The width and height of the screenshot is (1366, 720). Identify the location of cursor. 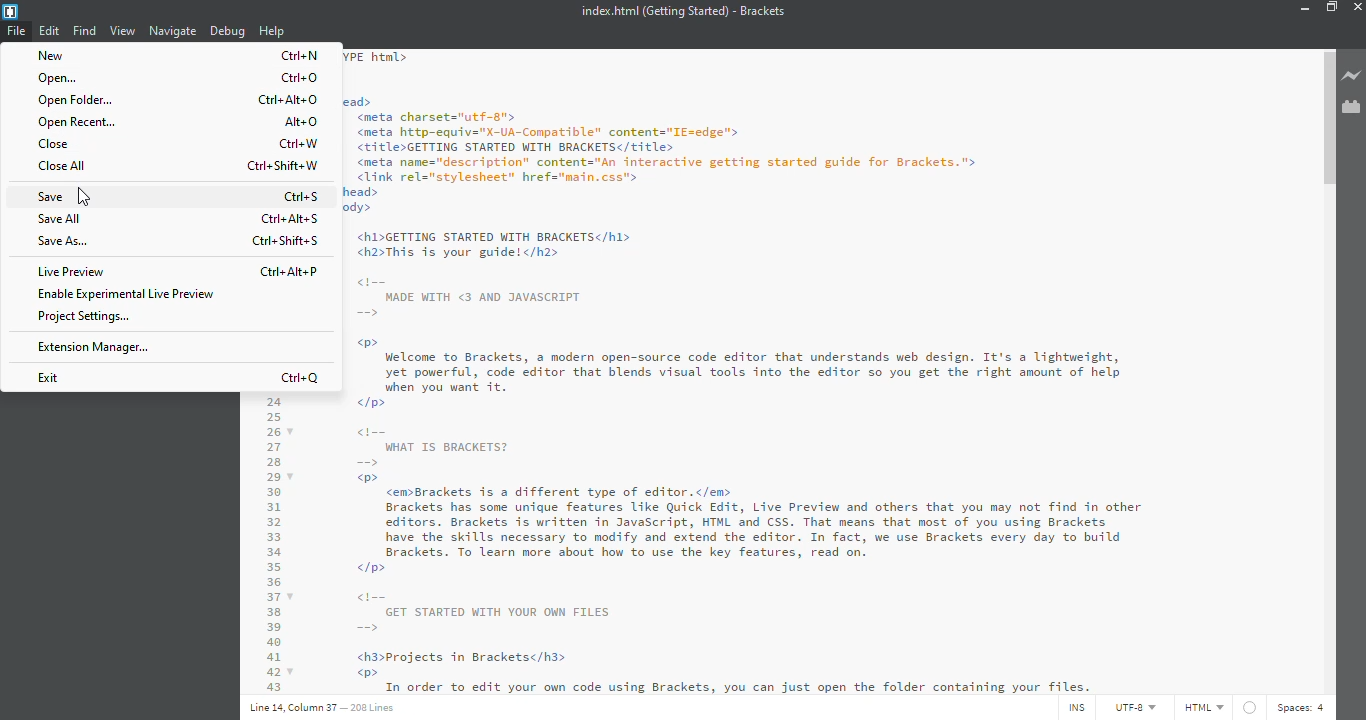
(85, 196).